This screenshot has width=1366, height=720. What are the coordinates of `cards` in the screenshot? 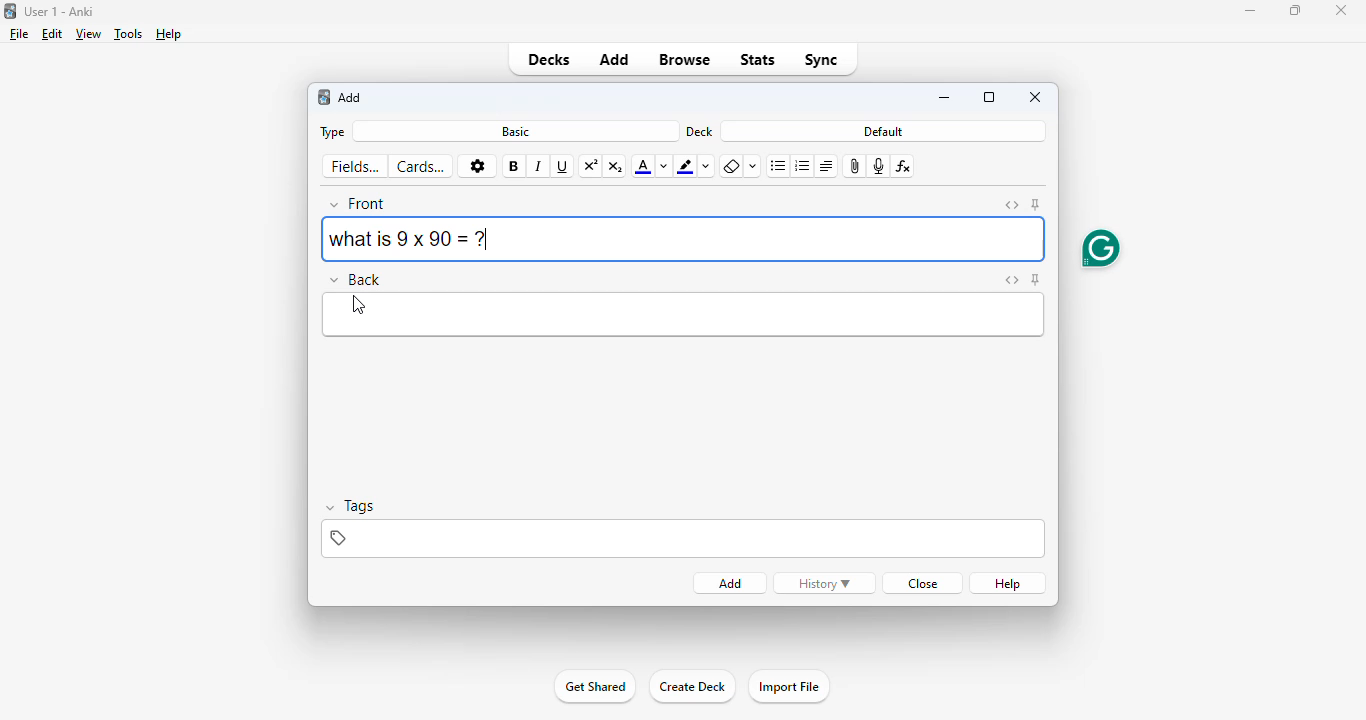 It's located at (421, 166).